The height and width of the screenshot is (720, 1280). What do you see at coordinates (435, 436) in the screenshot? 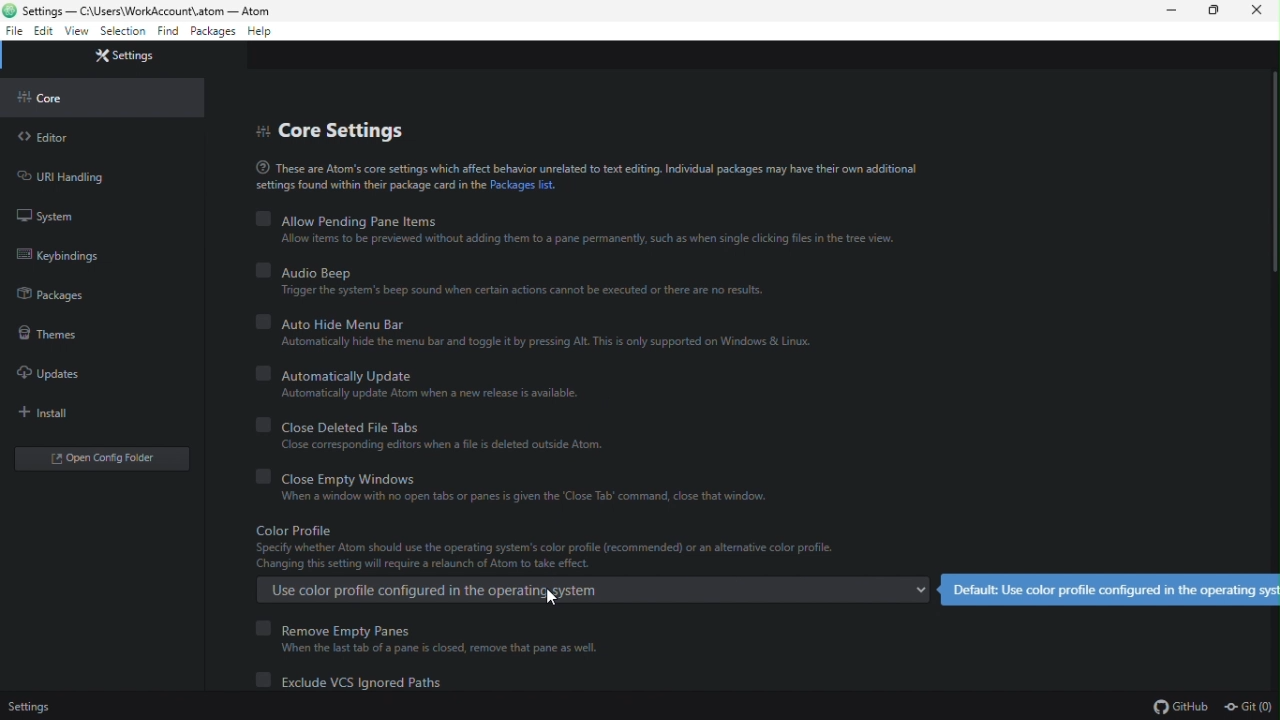
I see `close deleted file tabs` at bounding box center [435, 436].